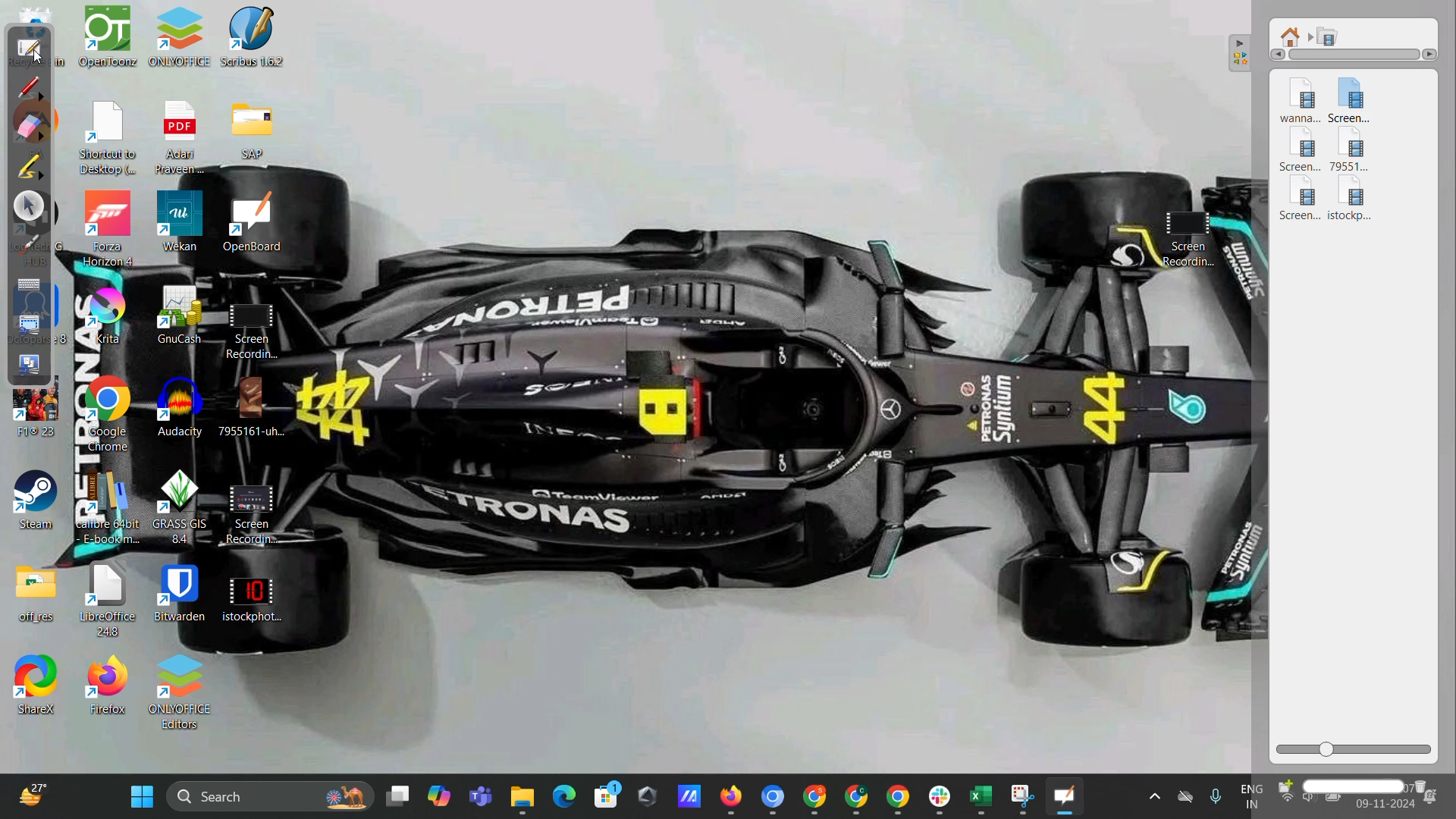 The height and width of the screenshot is (819, 1456). Describe the element at coordinates (249, 598) in the screenshot. I see `istockphoto` at that location.